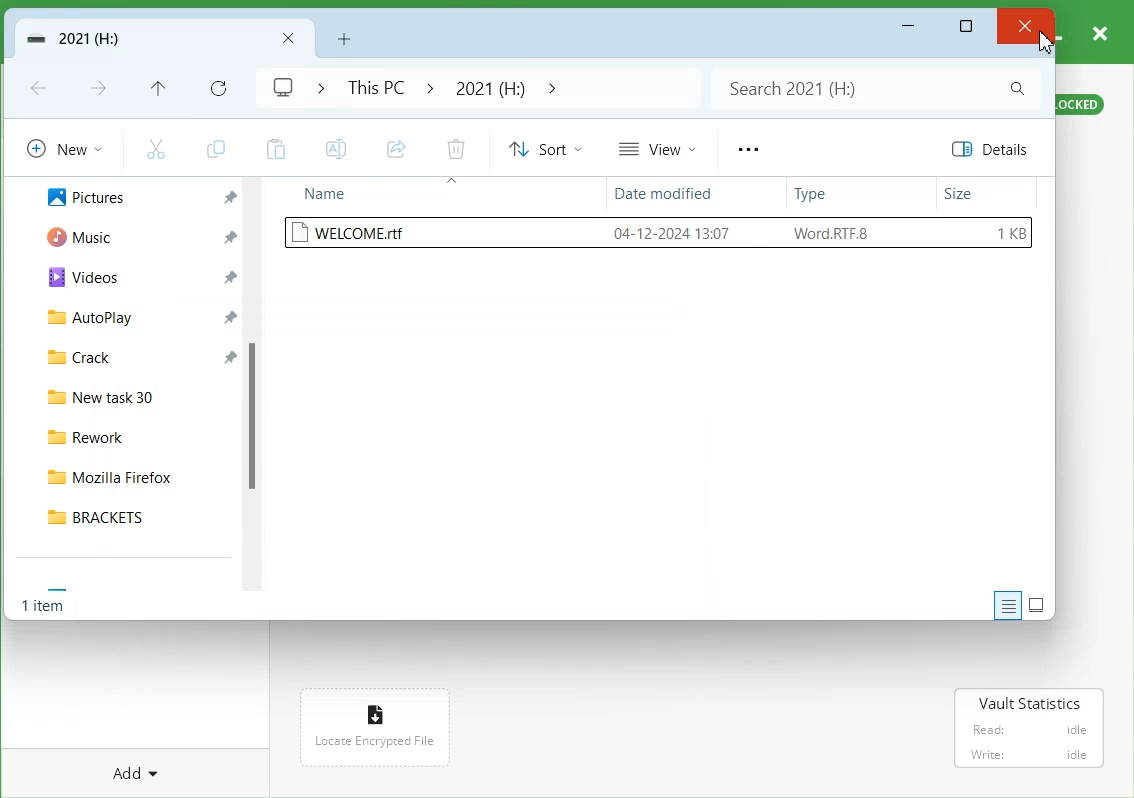 Image resolution: width=1134 pixels, height=798 pixels. I want to click on More, so click(747, 149).